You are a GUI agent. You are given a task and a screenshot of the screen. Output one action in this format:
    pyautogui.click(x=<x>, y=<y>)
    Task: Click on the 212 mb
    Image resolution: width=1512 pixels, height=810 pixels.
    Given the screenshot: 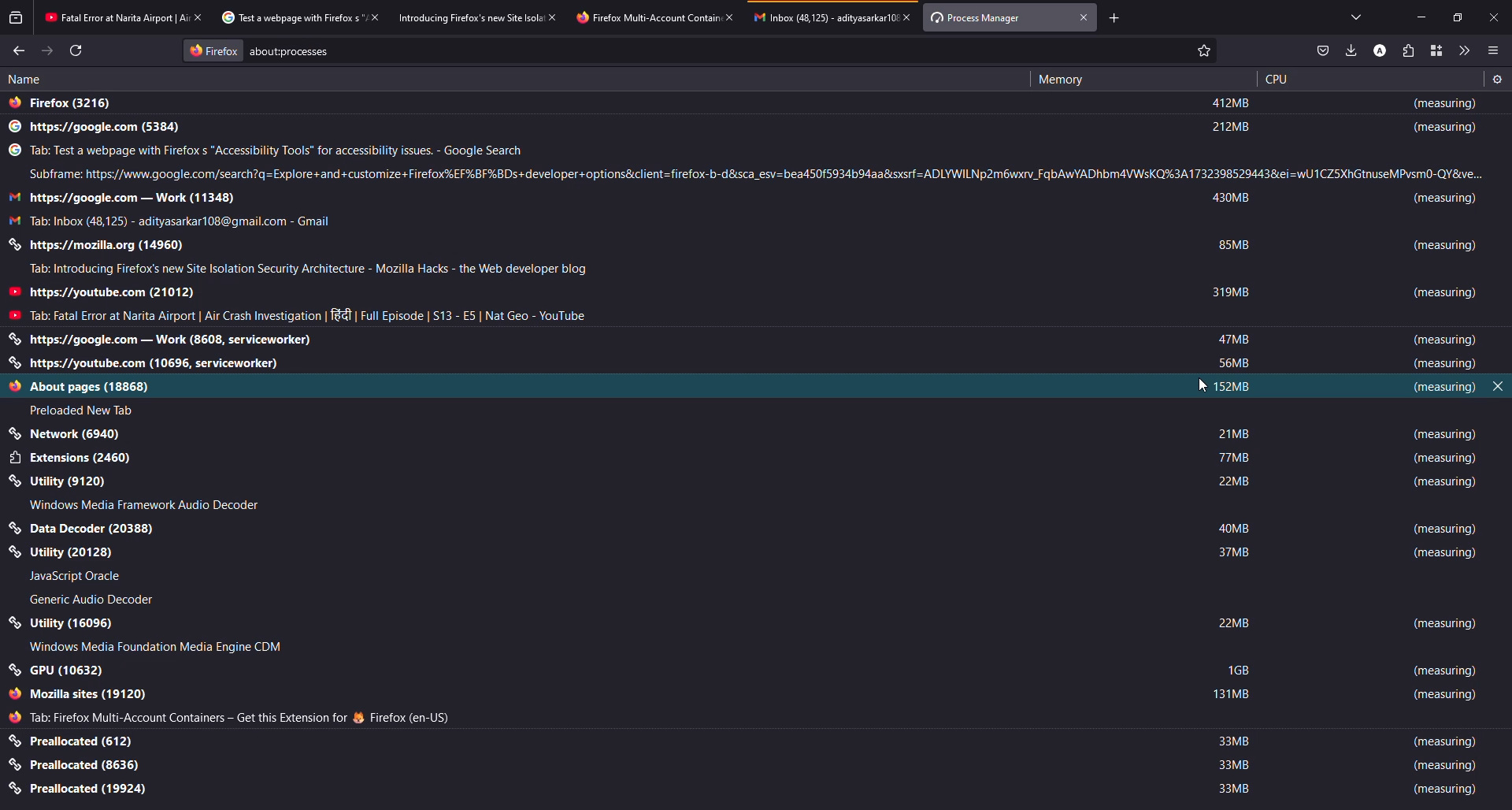 What is the action you would take?
    pyautogui.click(x=1232, y=128)
    